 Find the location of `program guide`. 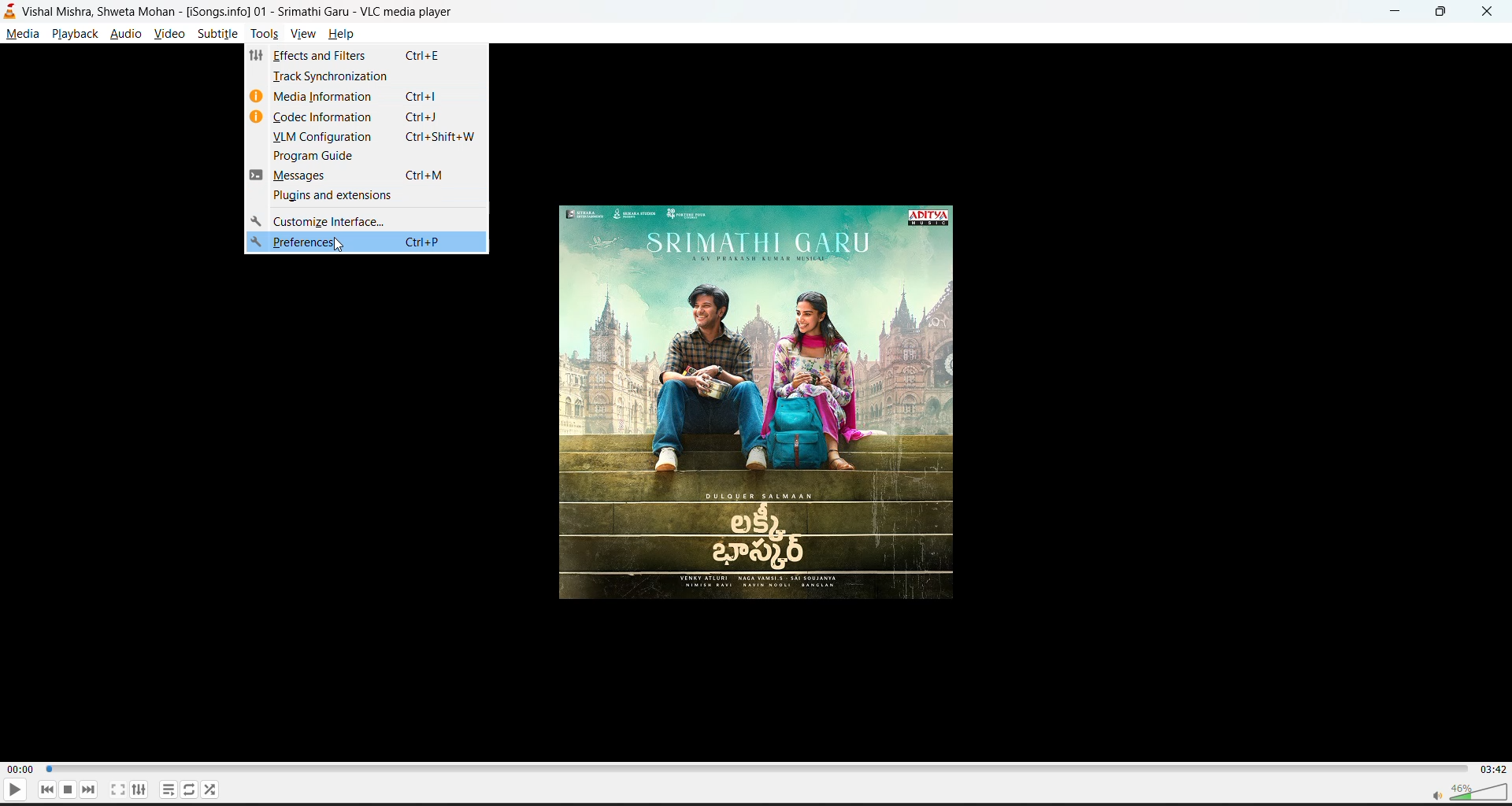

program guide is located at coordinates (369, 155).